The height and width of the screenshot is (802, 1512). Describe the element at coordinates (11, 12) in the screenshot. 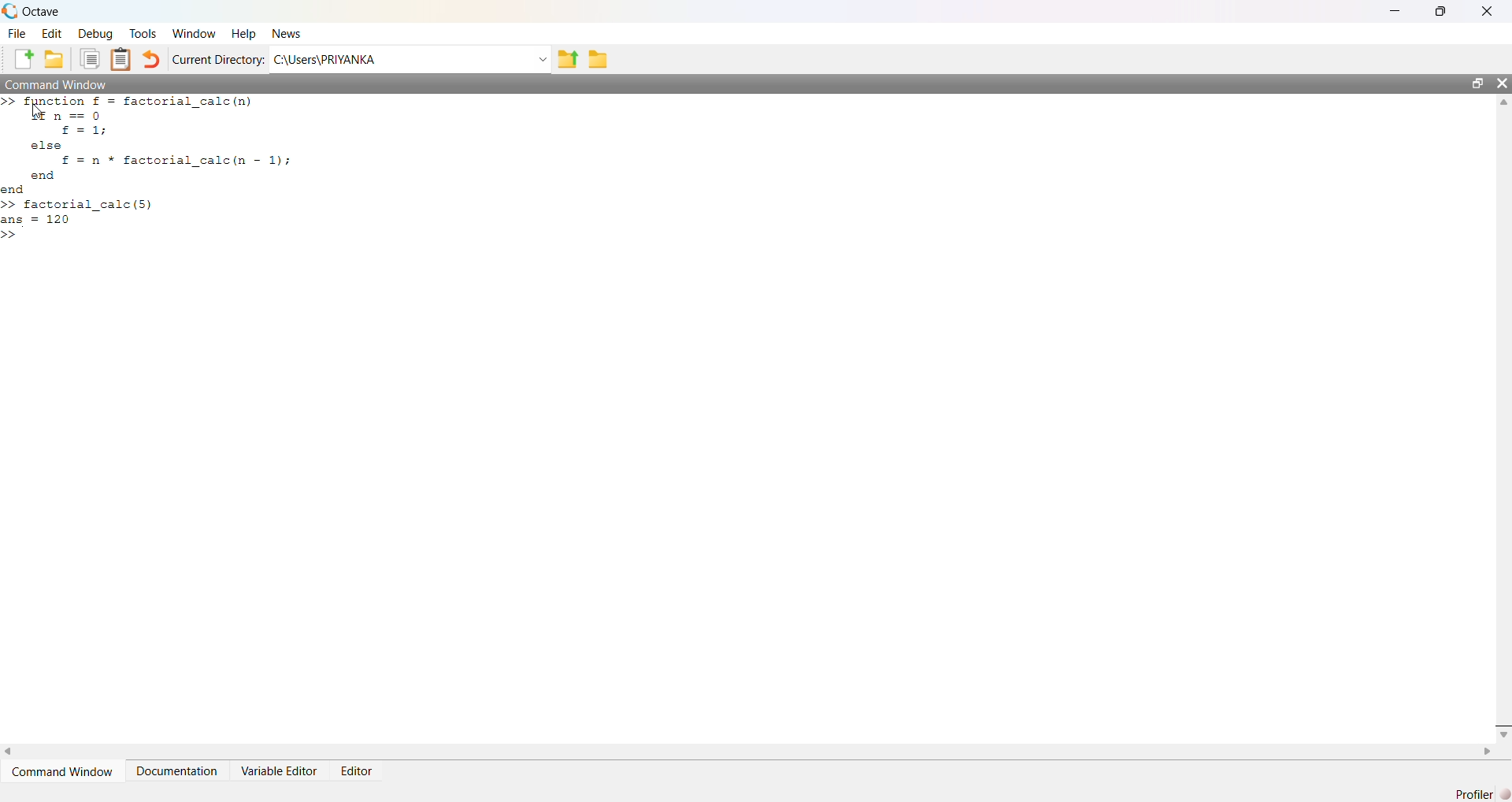

I see `logo` at that location.